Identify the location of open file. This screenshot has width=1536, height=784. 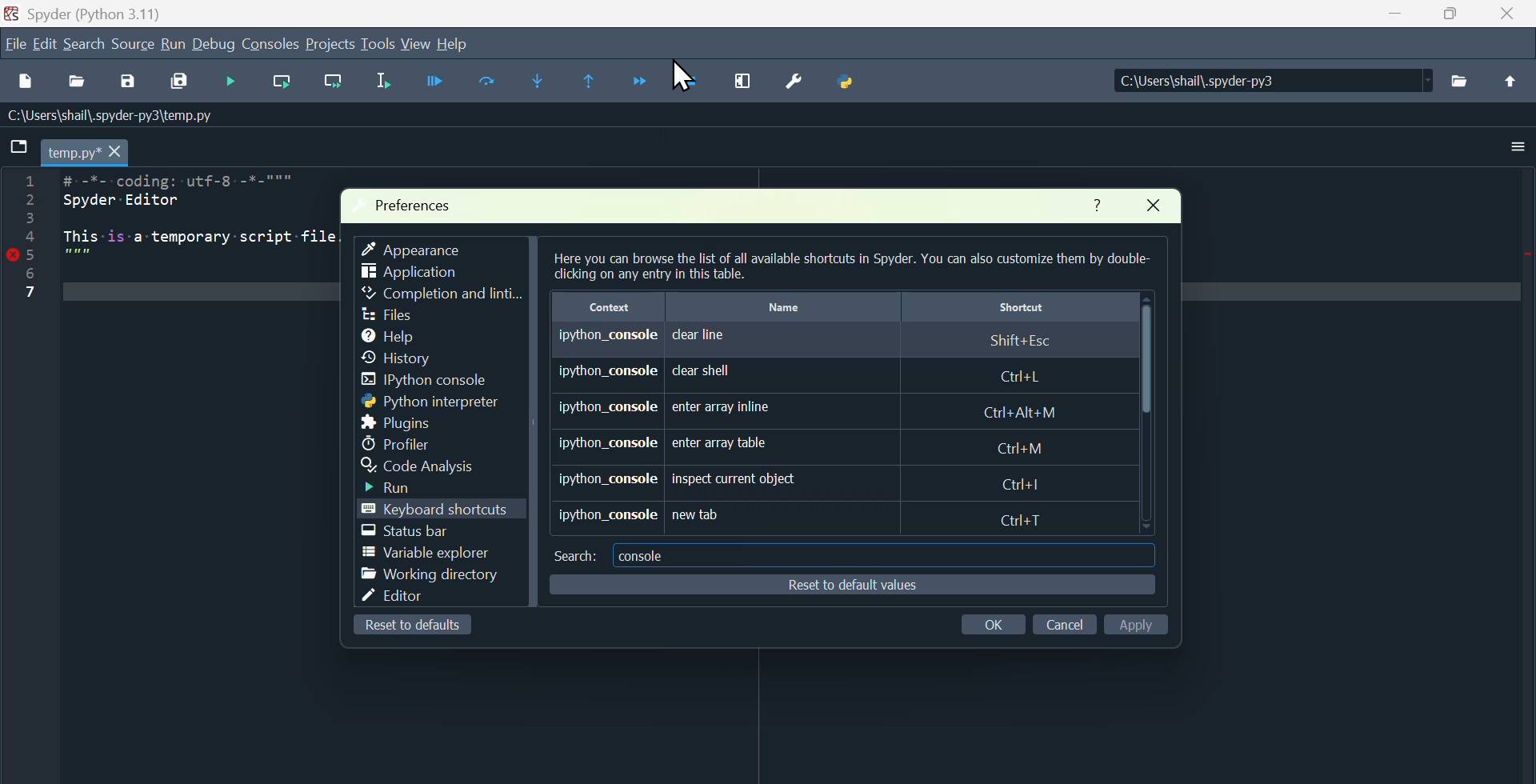
(80, 87).